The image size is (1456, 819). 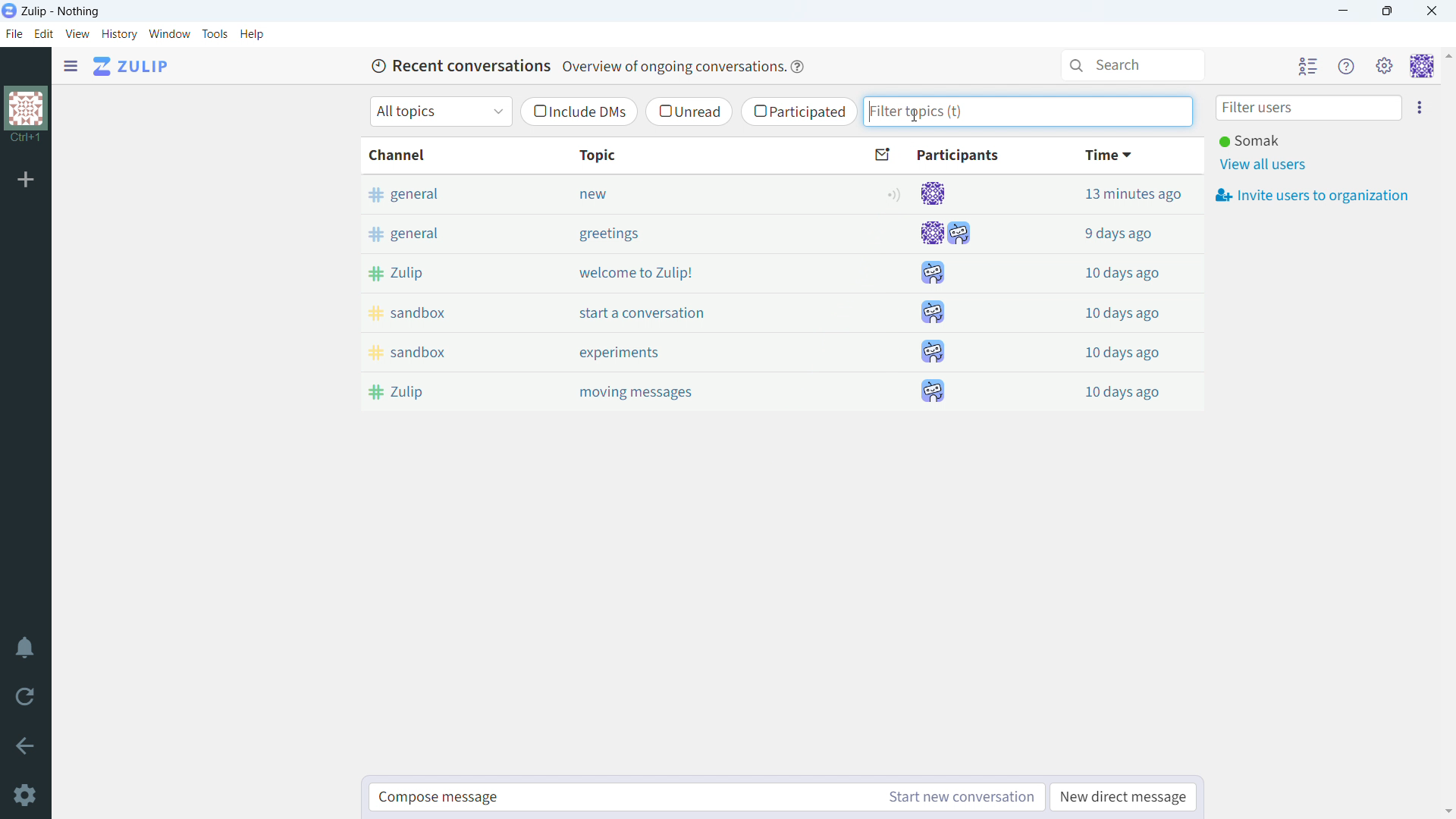 I want to click on 10 days ago, so click(x=1106, y=311).